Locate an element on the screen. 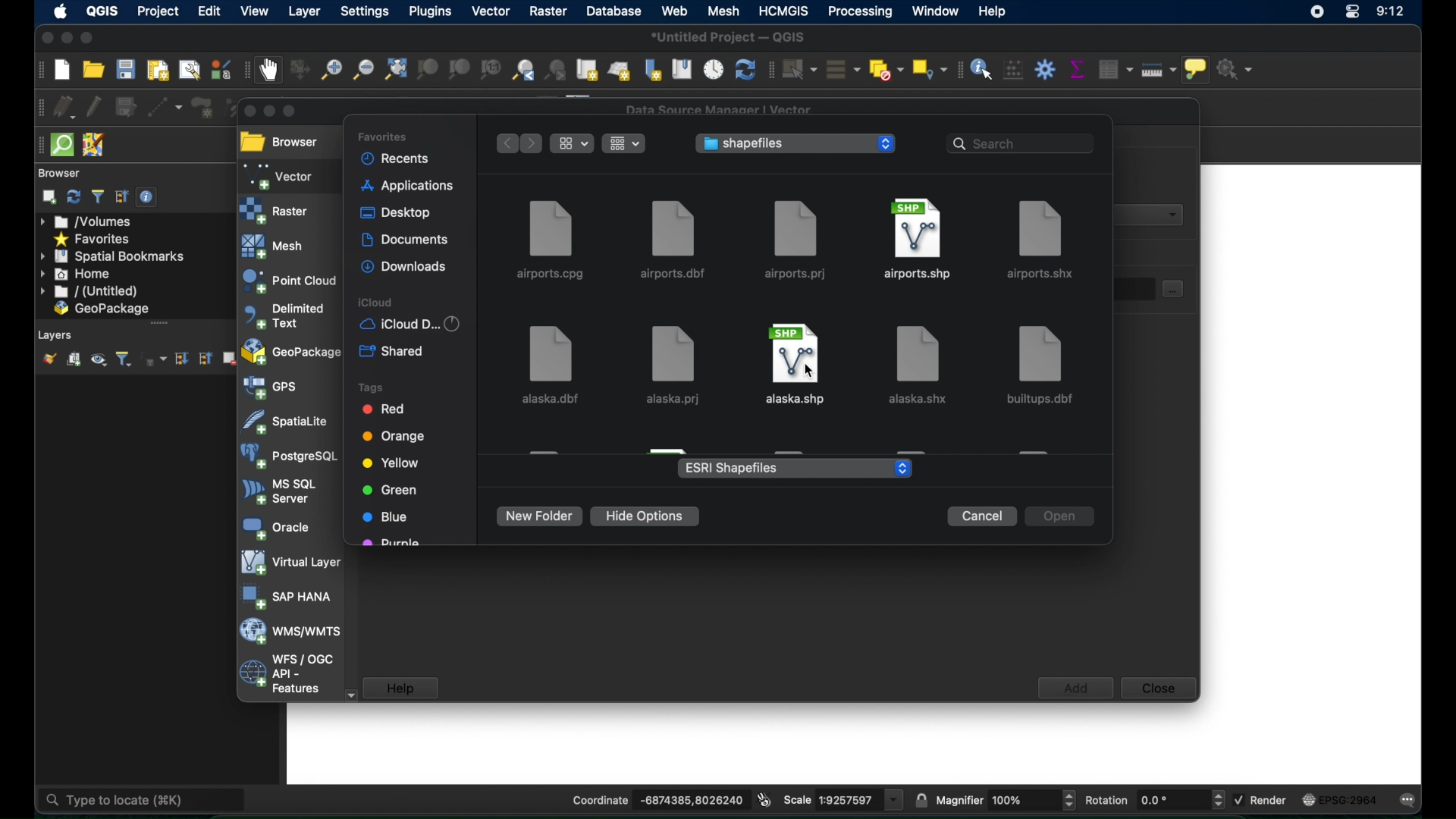 This screenshot has height=819, width=1456. change the item grouping is located at coordinates (624, 143).